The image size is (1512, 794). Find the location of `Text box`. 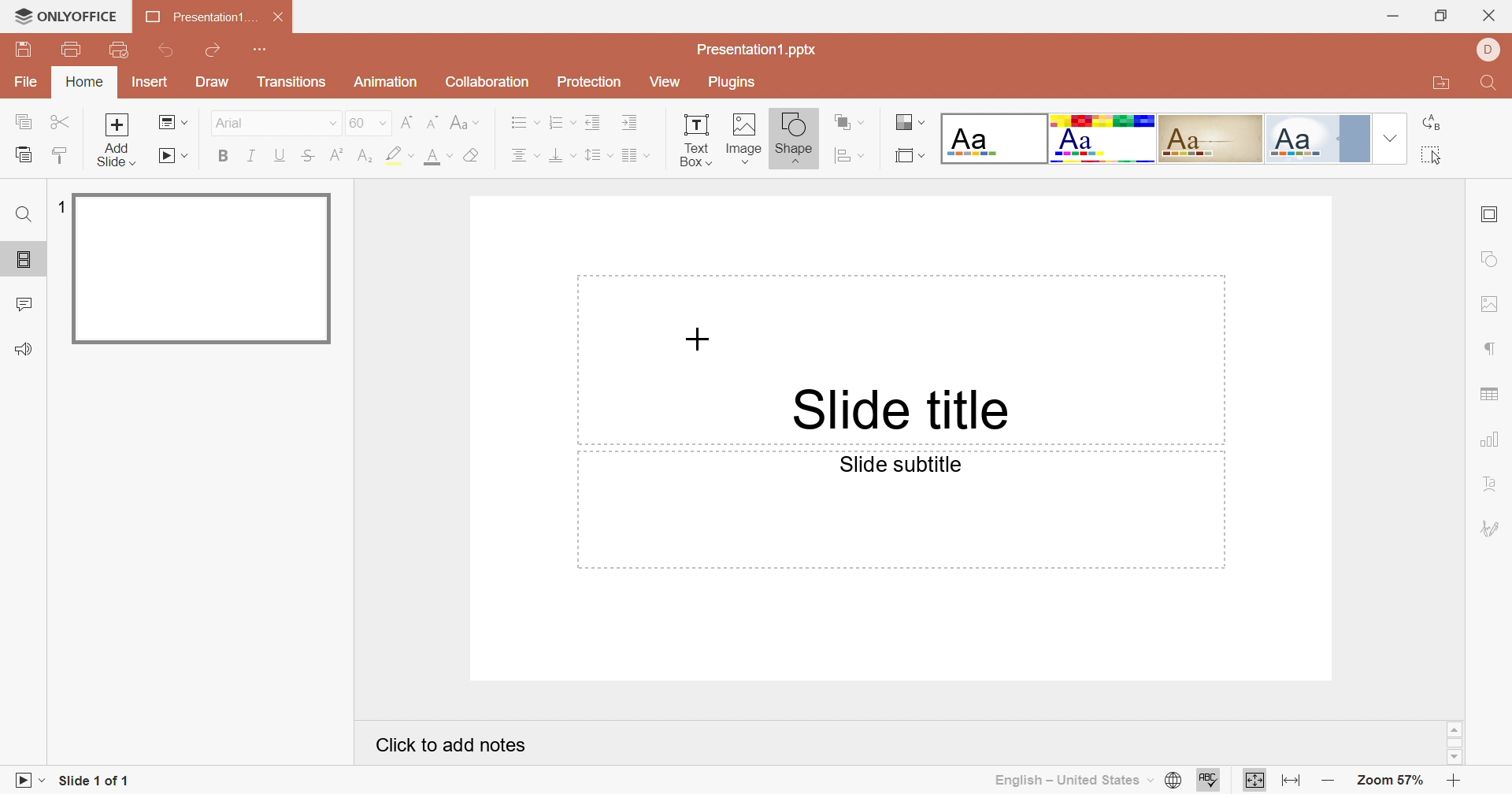

Text box is located at coordinates (695, 141).